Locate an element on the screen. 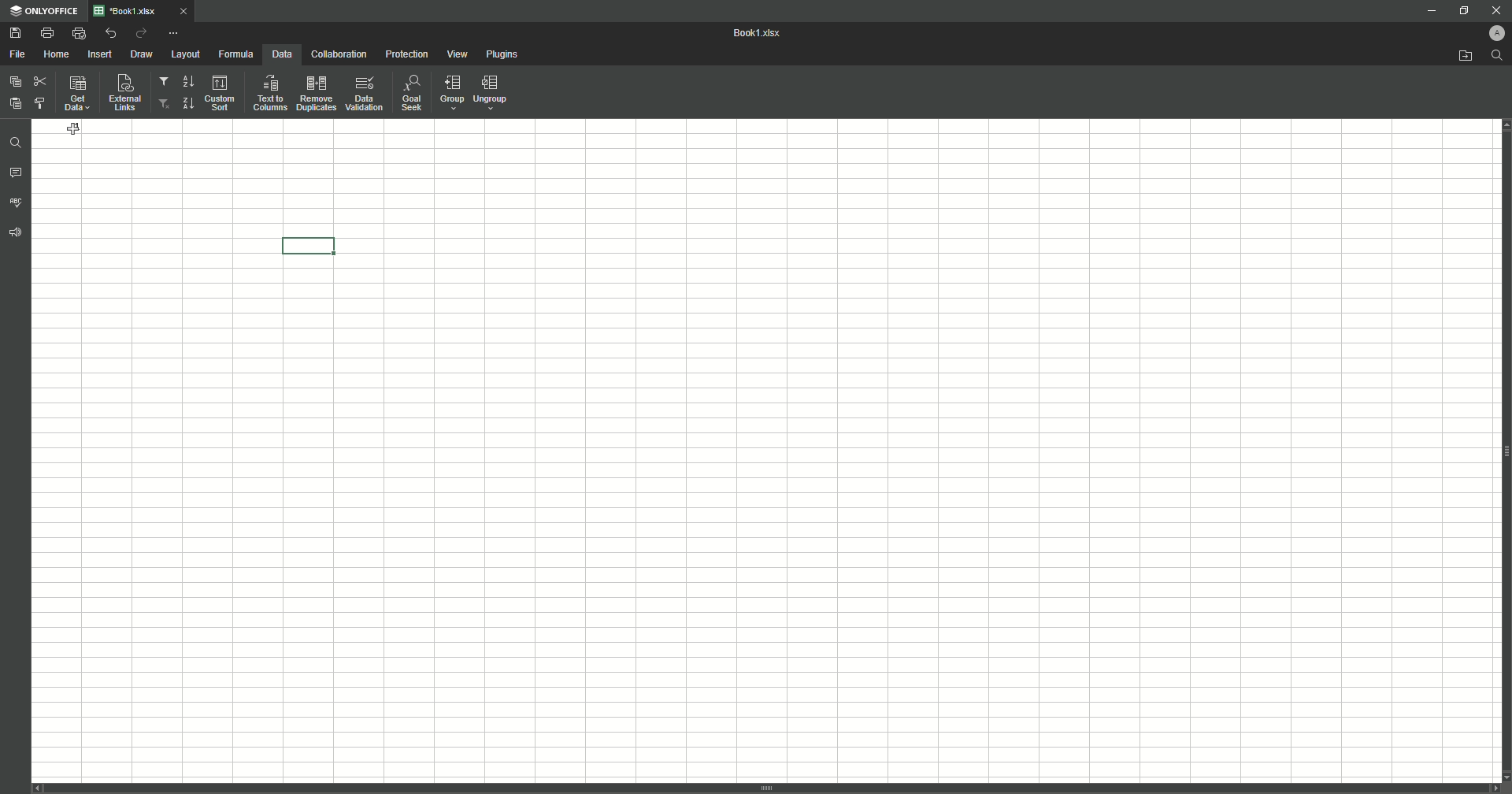 This screenshot has width=1512, height=794. Find is located at coordinates (1497, 55).